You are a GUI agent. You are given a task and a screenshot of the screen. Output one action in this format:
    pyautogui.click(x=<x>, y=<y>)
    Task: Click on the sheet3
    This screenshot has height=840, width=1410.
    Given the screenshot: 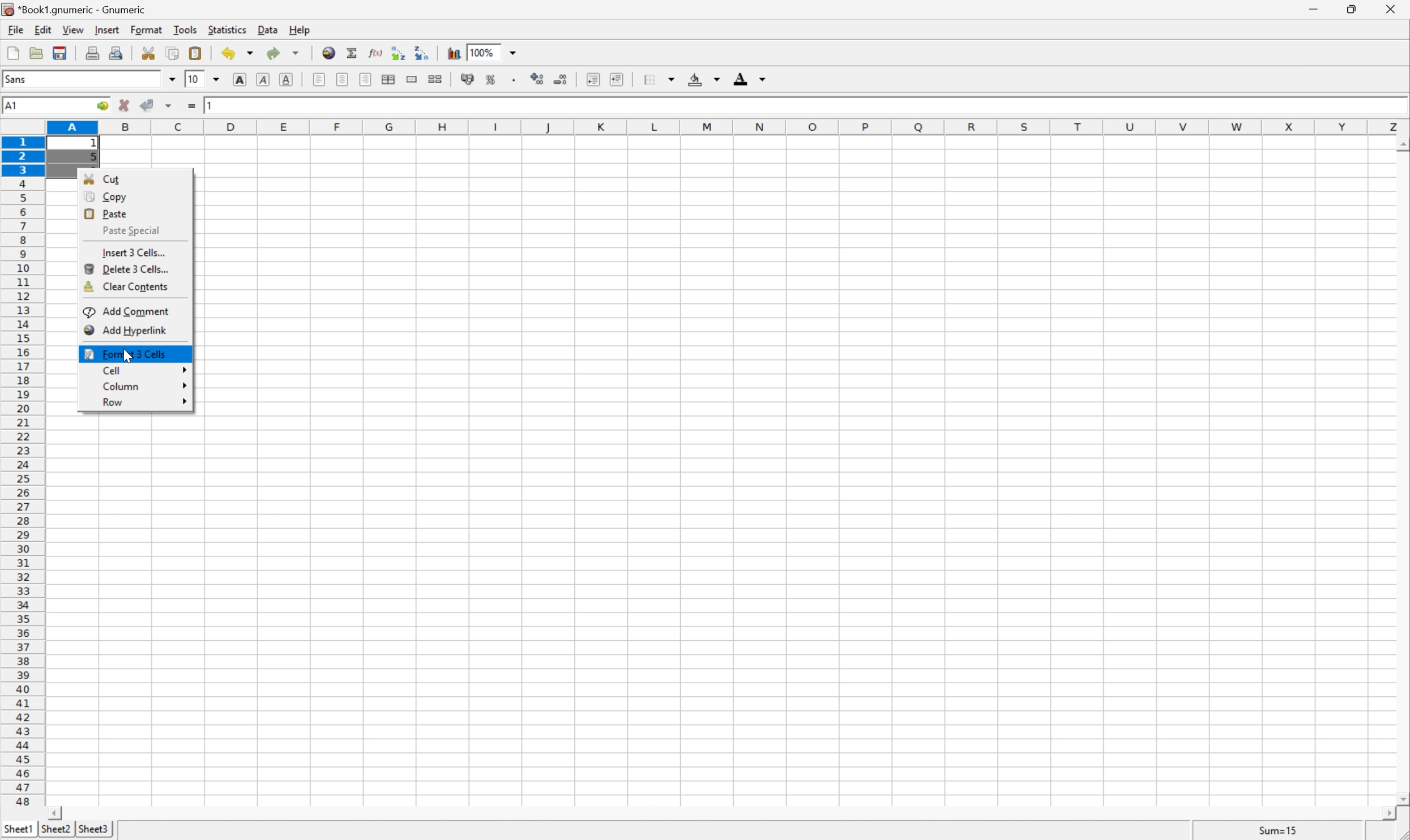 What is the action you would take?
    pyautogui.click(x=93, y=830)
    